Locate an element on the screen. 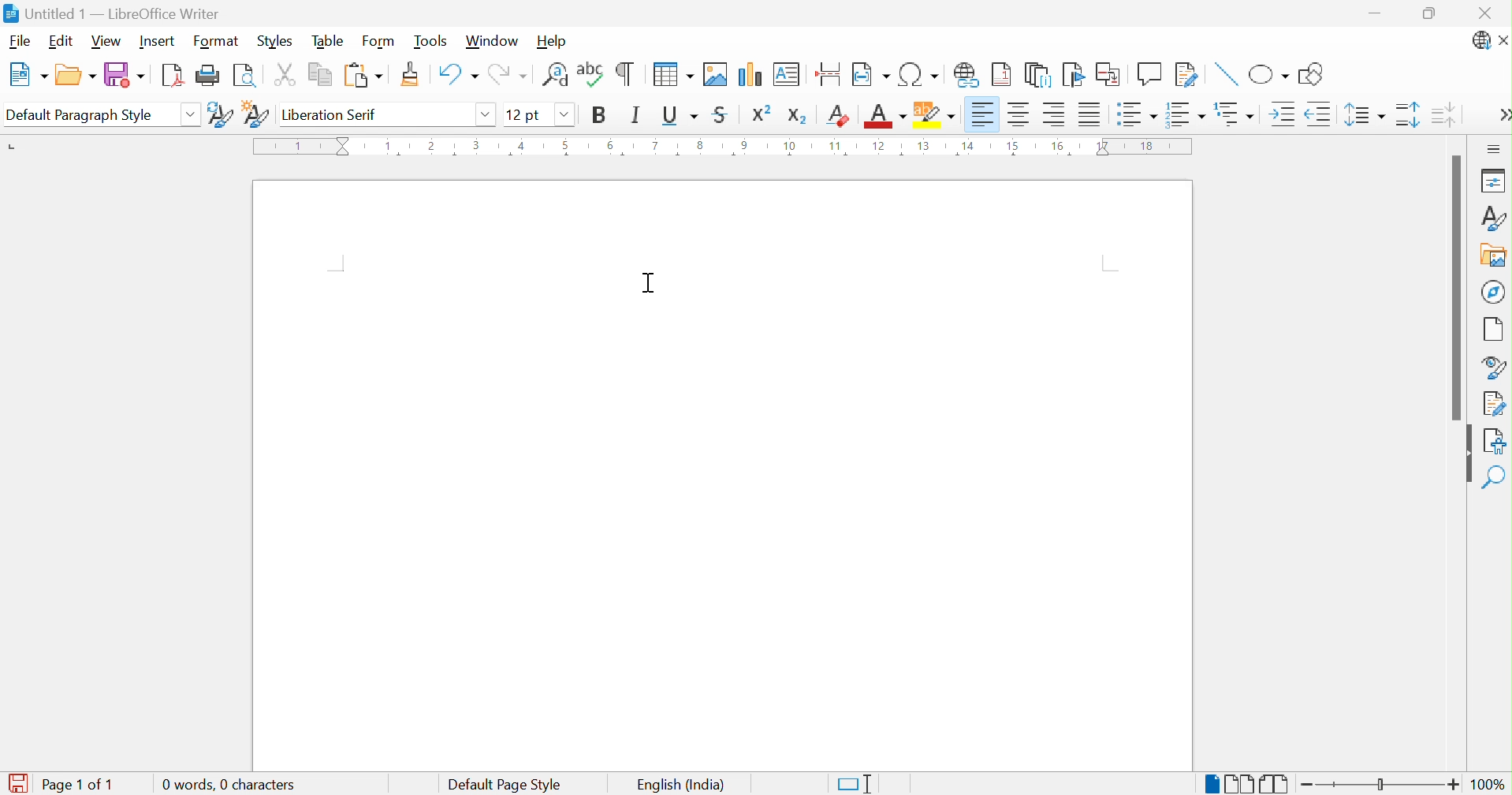 The width and height of the screenshot is (1512, 795). Align right is located at coordinates (1056, 117).